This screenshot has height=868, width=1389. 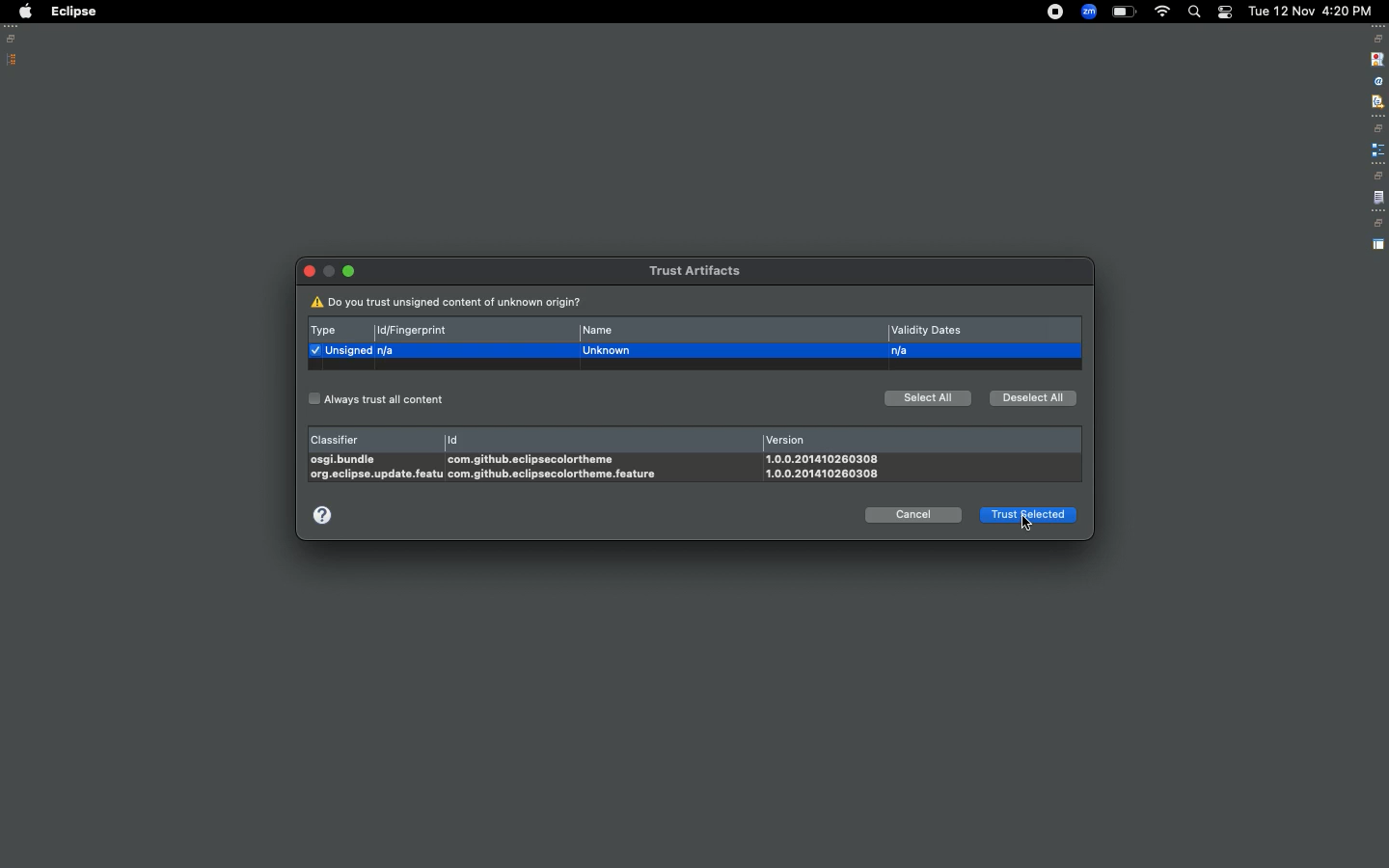 What do you see at coordinates (1377, 149) in the screenshot?
I see `extension point` at bounding box center [1377, 149].